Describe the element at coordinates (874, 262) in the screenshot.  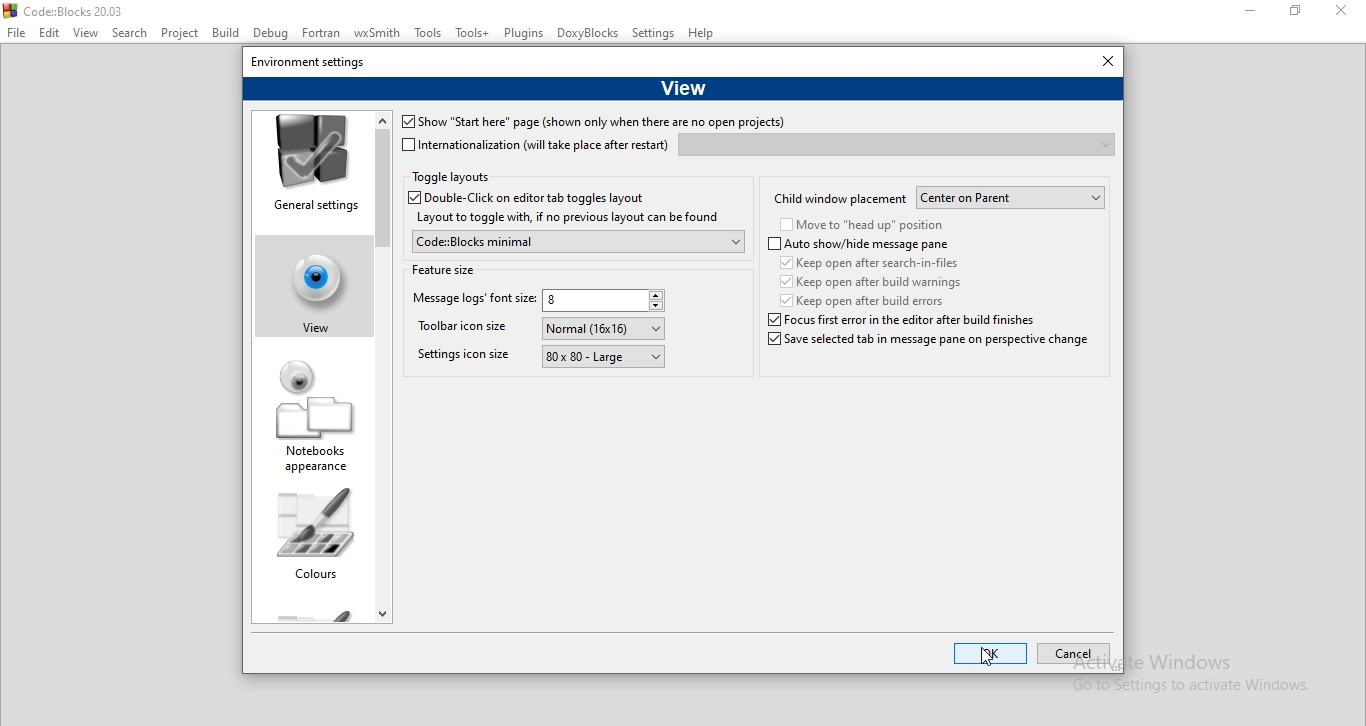
I see `Keep open after search-in-files ` at that location.